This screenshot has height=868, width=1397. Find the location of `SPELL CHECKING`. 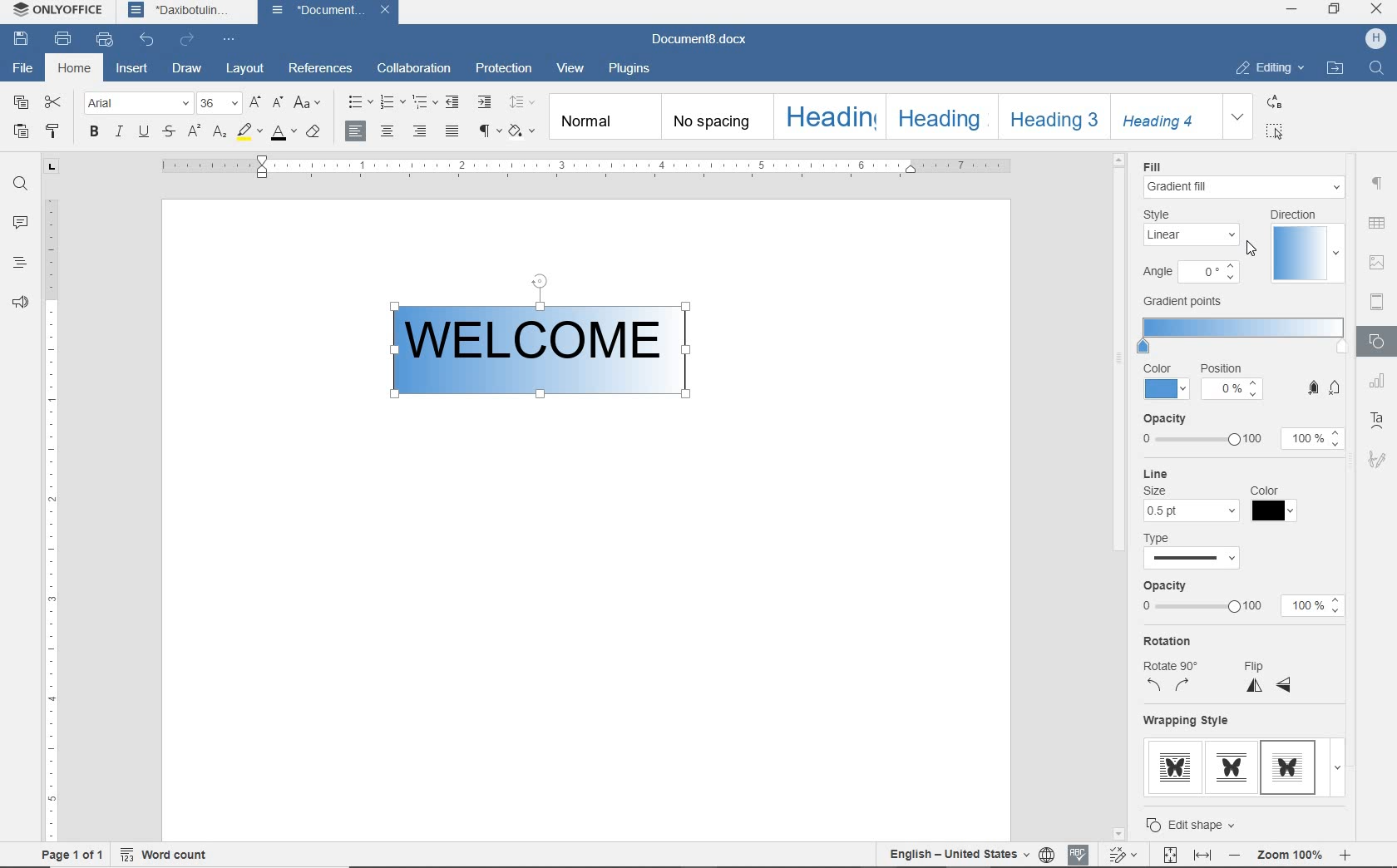

SPELL CHECKING is located at coordinates (1078, 855).